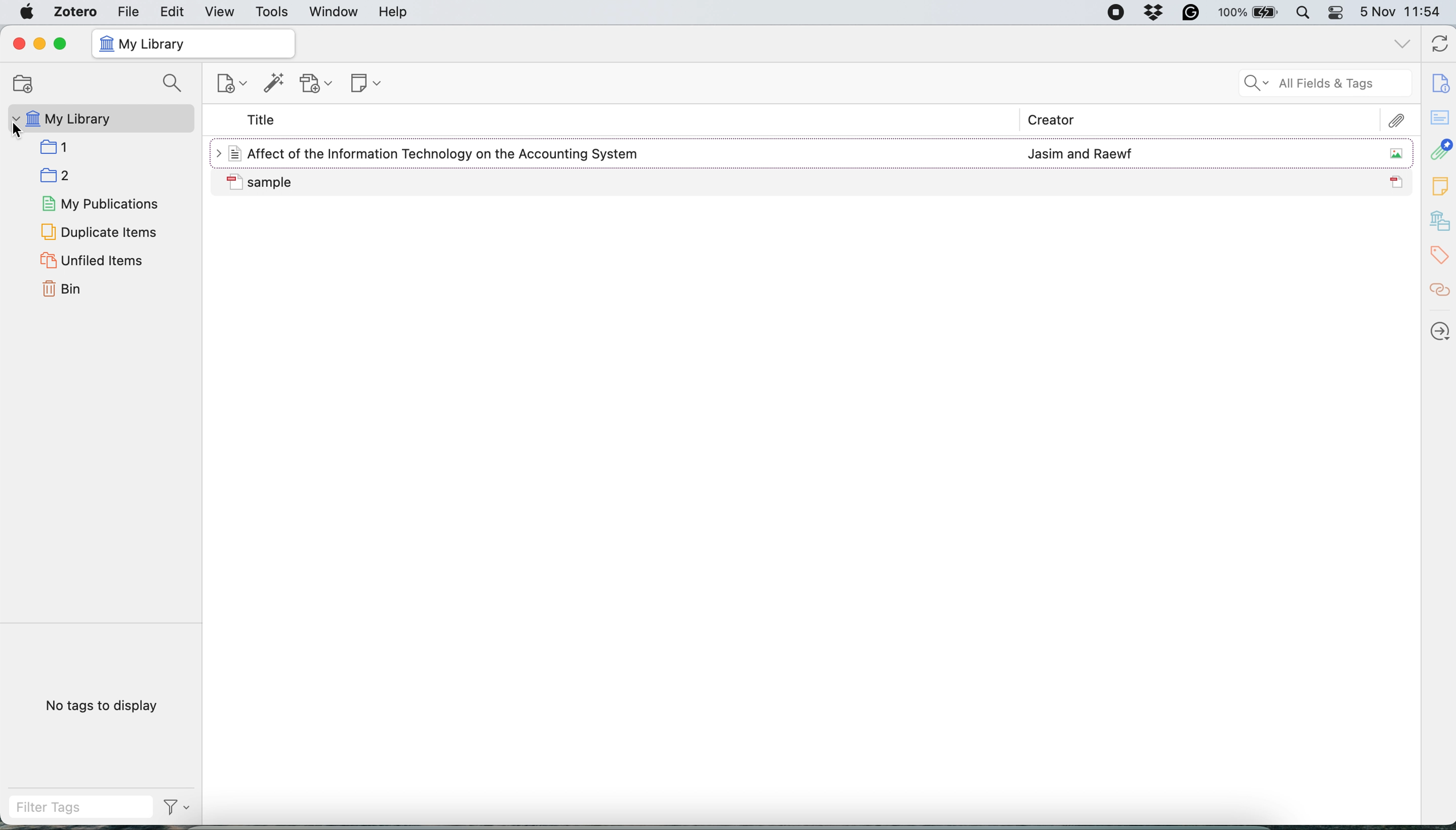  I want to click on help, so click(394, 13).